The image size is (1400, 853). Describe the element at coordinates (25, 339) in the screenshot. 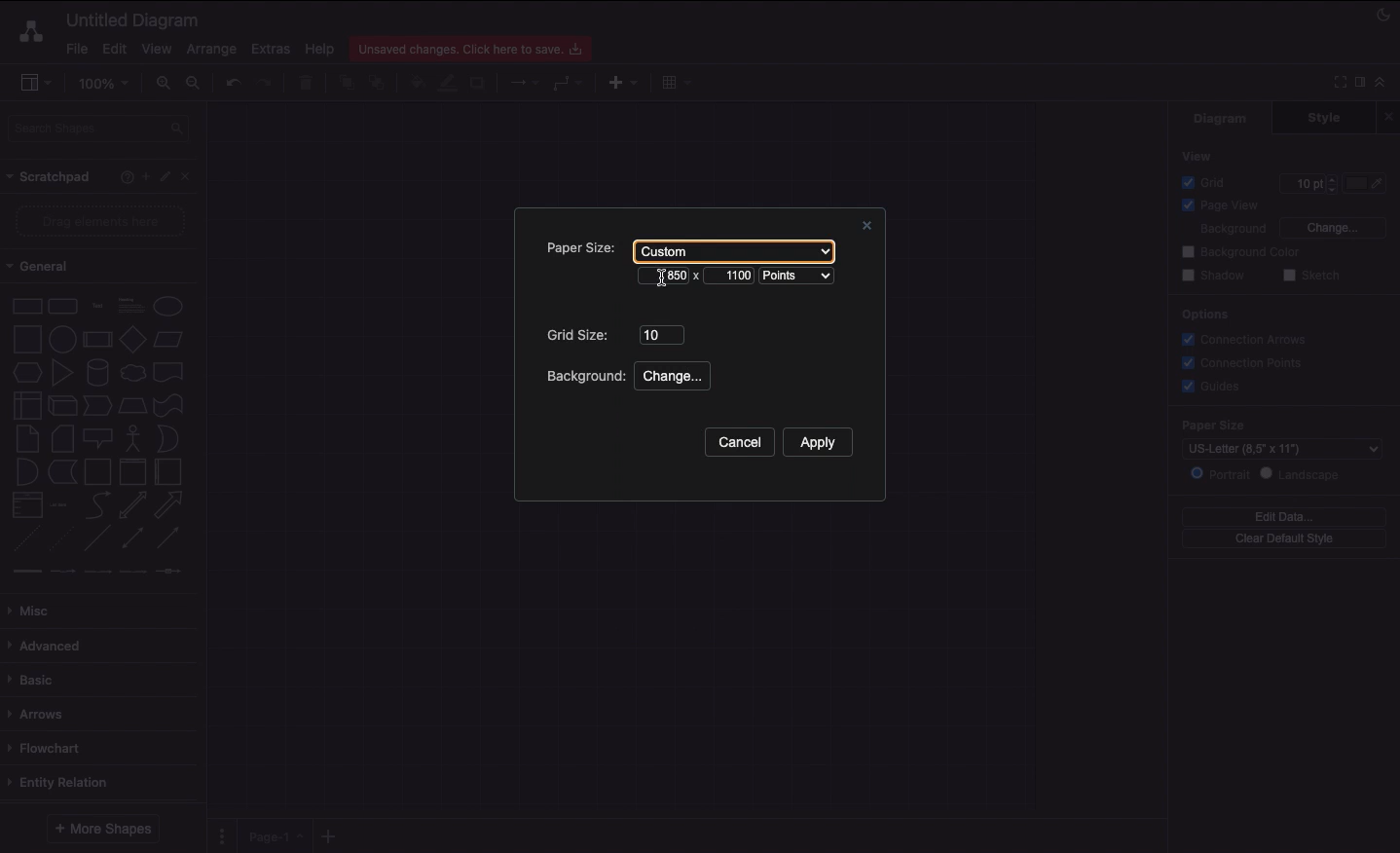

I see `Square` at that location.